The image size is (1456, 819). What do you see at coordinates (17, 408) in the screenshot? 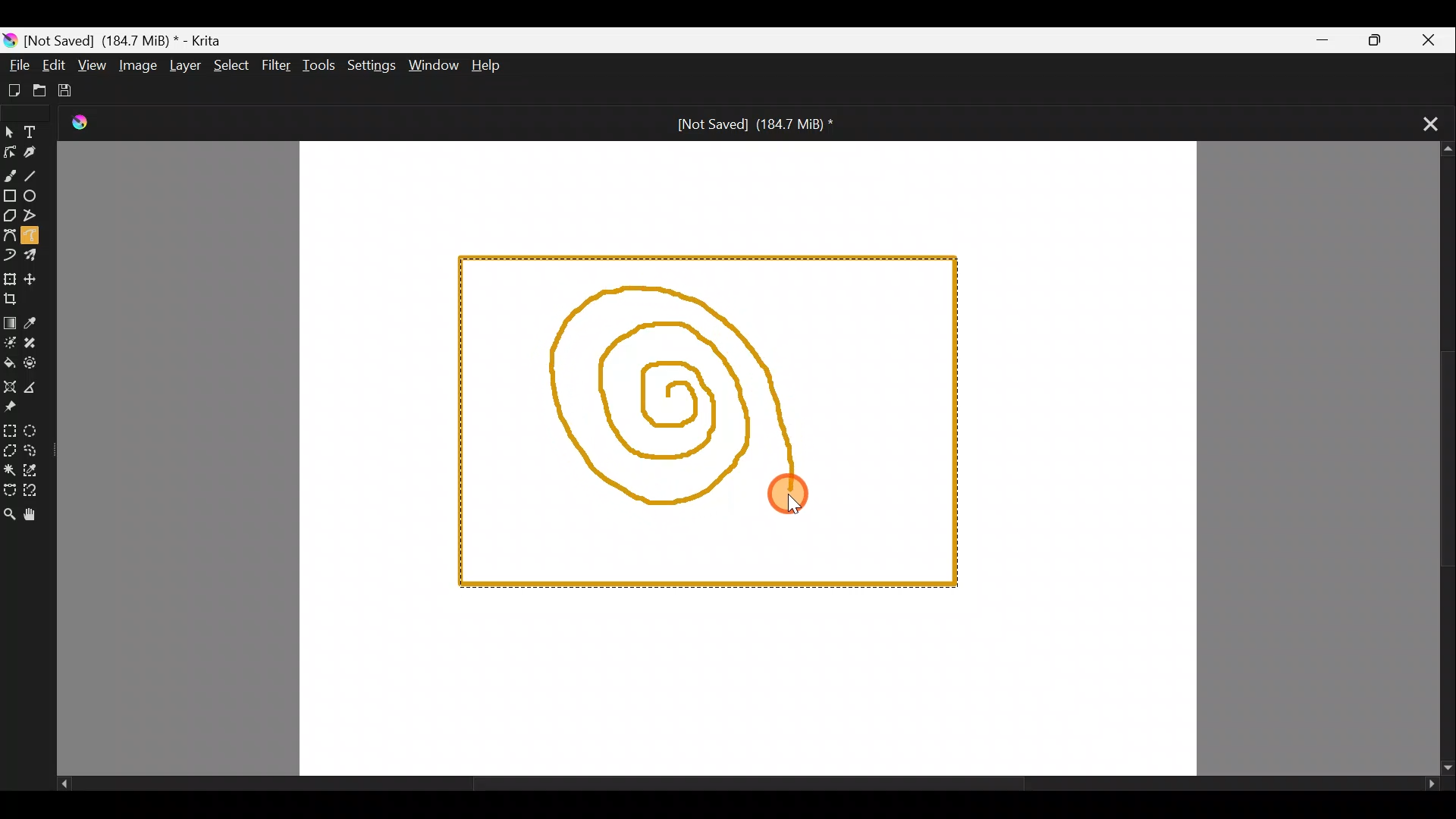
I see `Reference images tool` at bounding box center [17, 408].